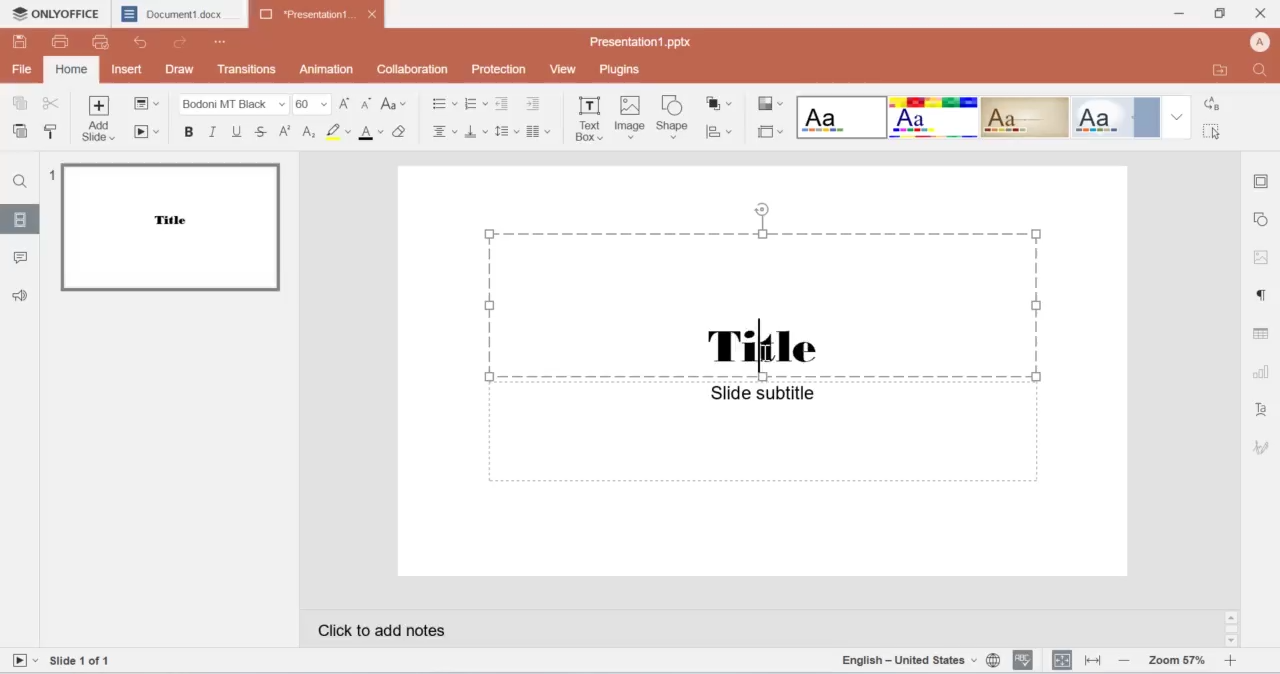  Describe the element at coordinates (995, 117) in the screenshot. I see `format` at that location.